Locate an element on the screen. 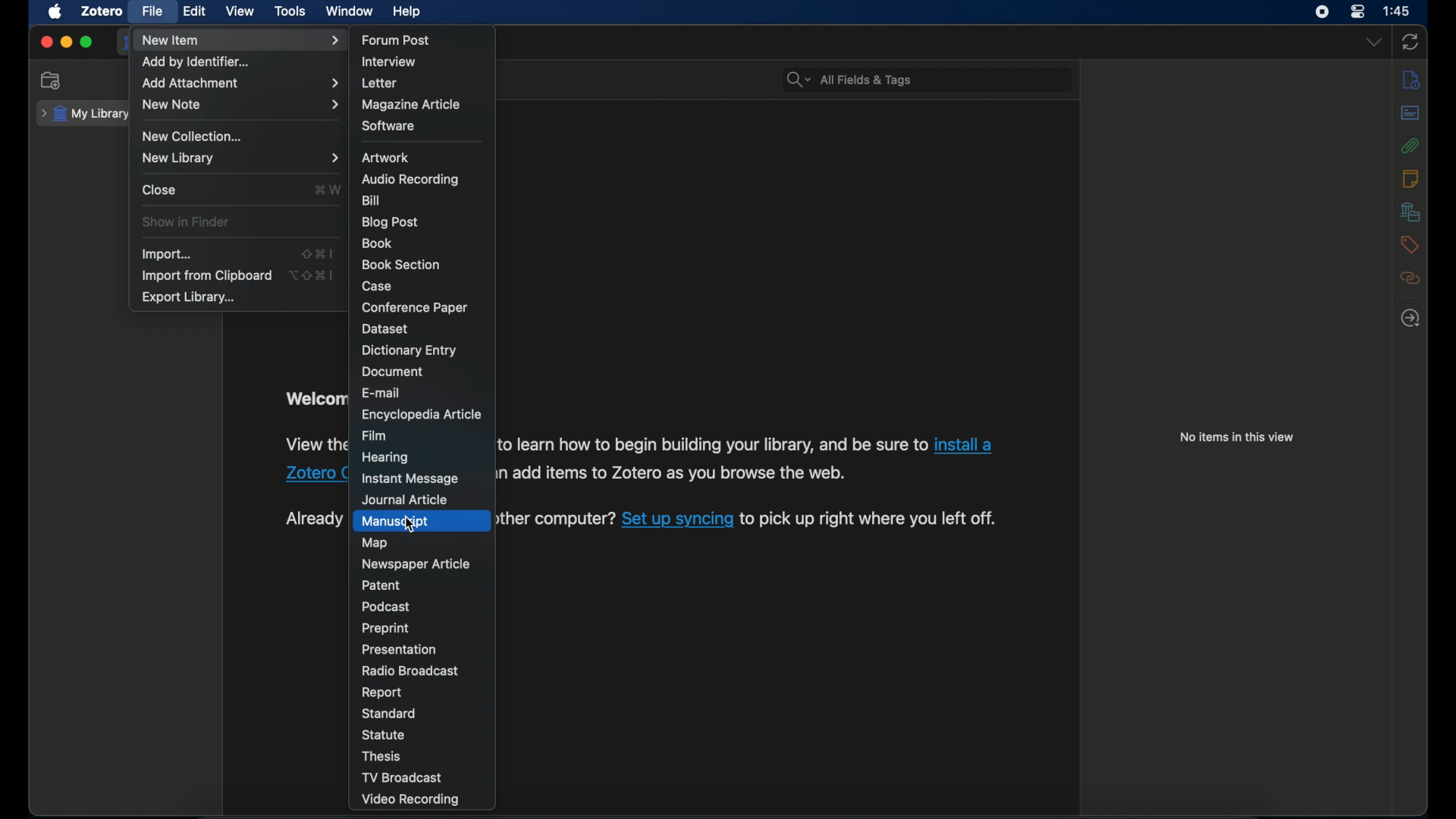 The image size is (1456, 819). window is located at coordinates (349, 11).